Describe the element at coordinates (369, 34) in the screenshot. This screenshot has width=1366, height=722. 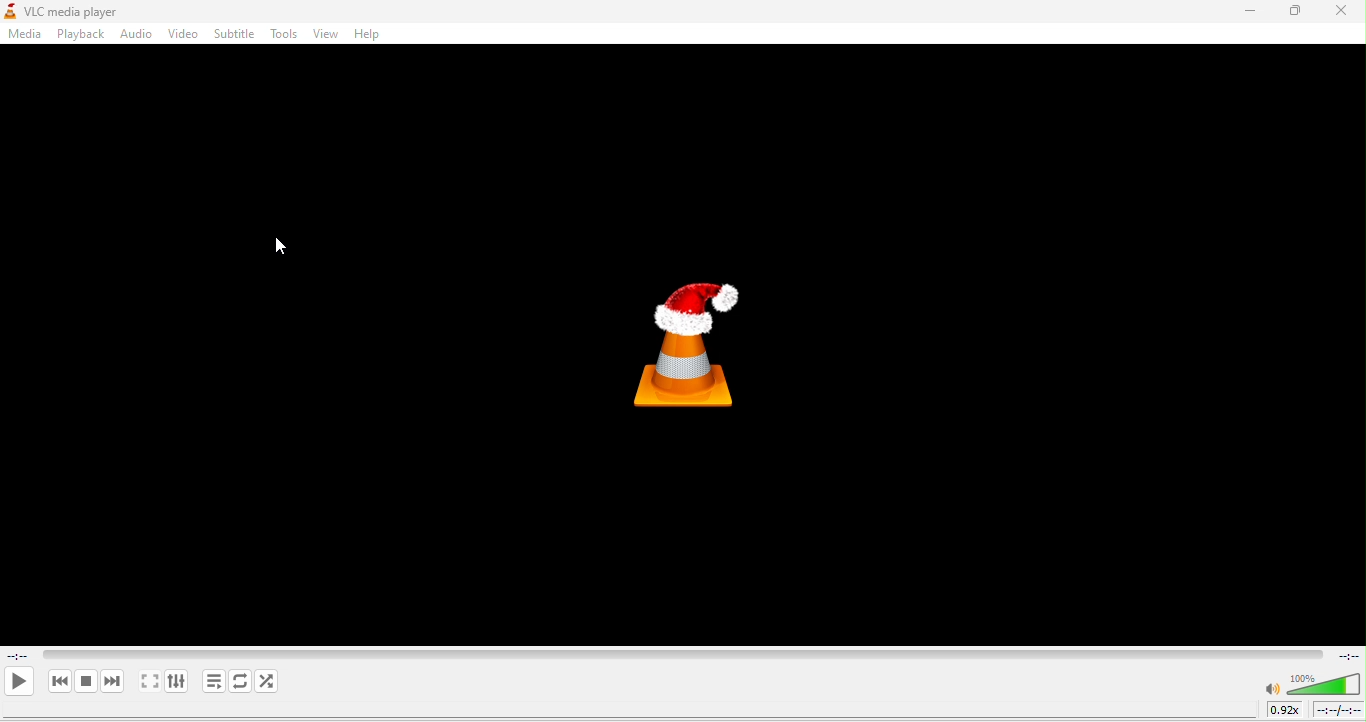
I see `help` at that location.